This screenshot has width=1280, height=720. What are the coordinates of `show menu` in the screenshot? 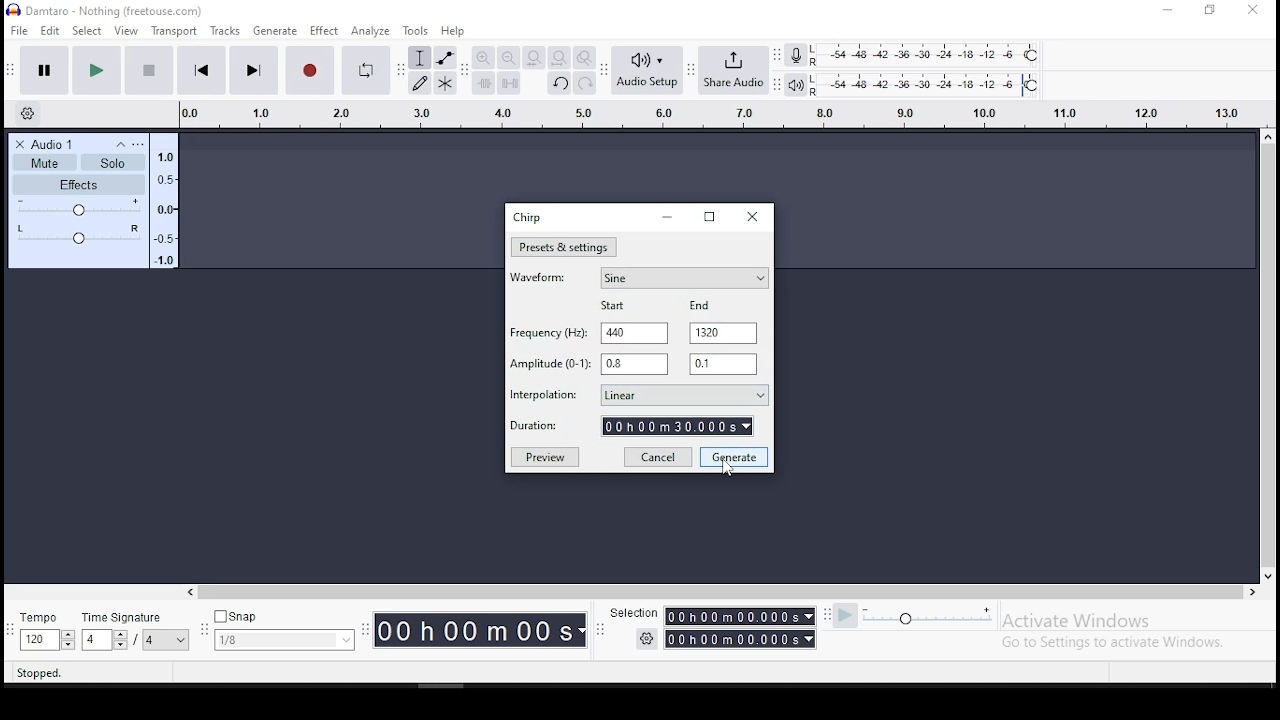 It's located at (600, 635).